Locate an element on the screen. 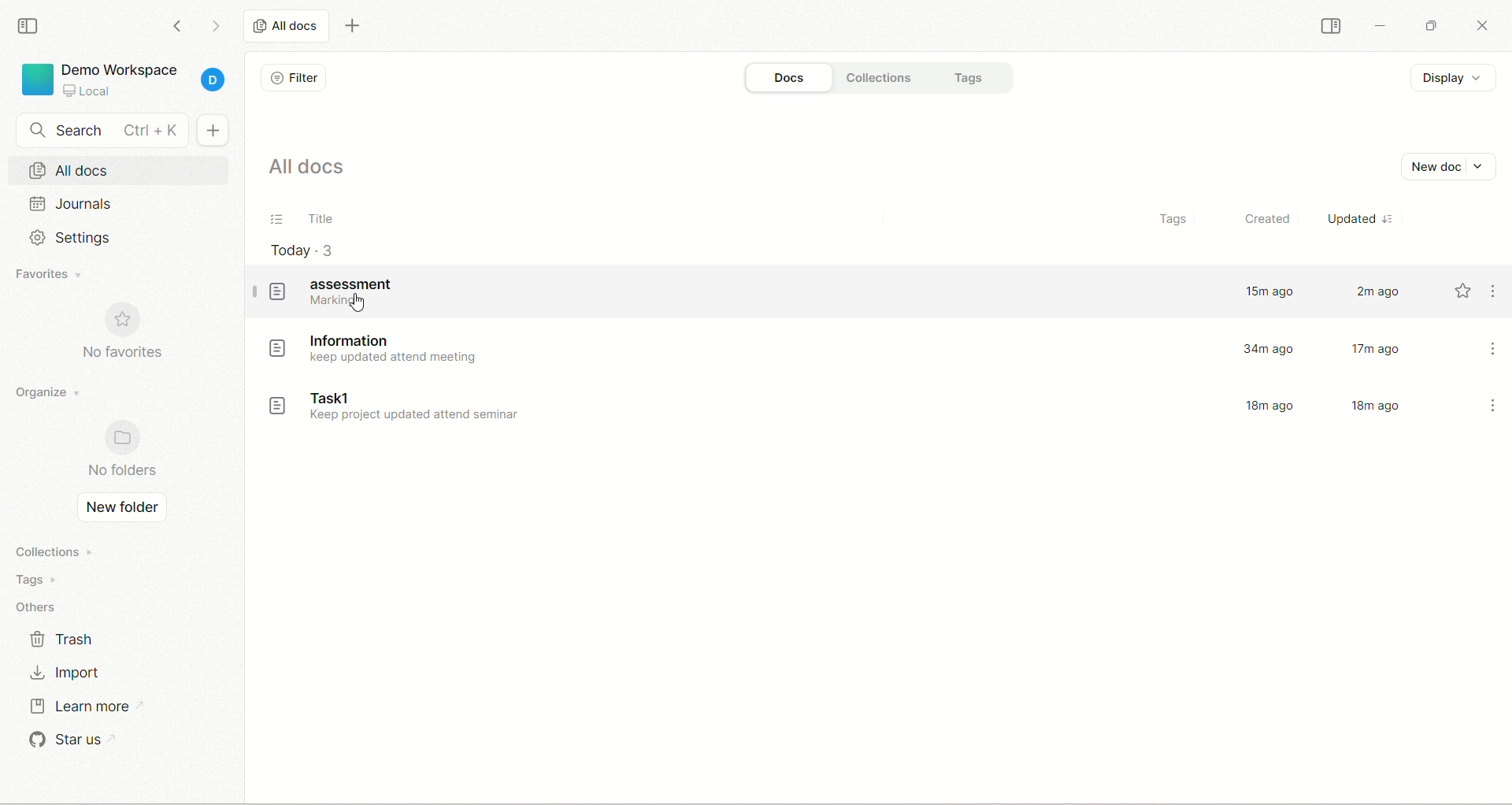  tags is located at coordinates (31, 579).